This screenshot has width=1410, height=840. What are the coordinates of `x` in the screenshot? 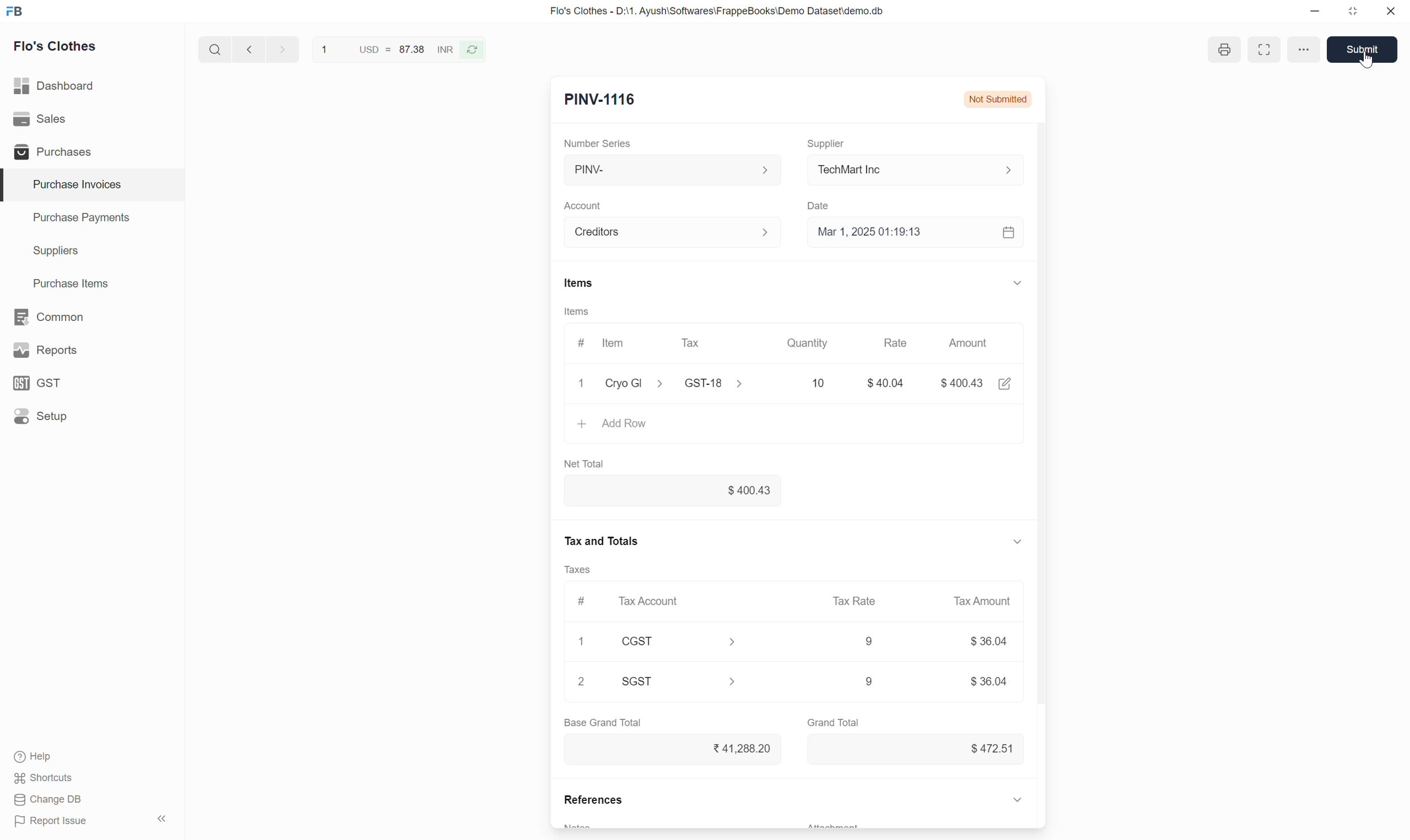 It's located at (582, 385).